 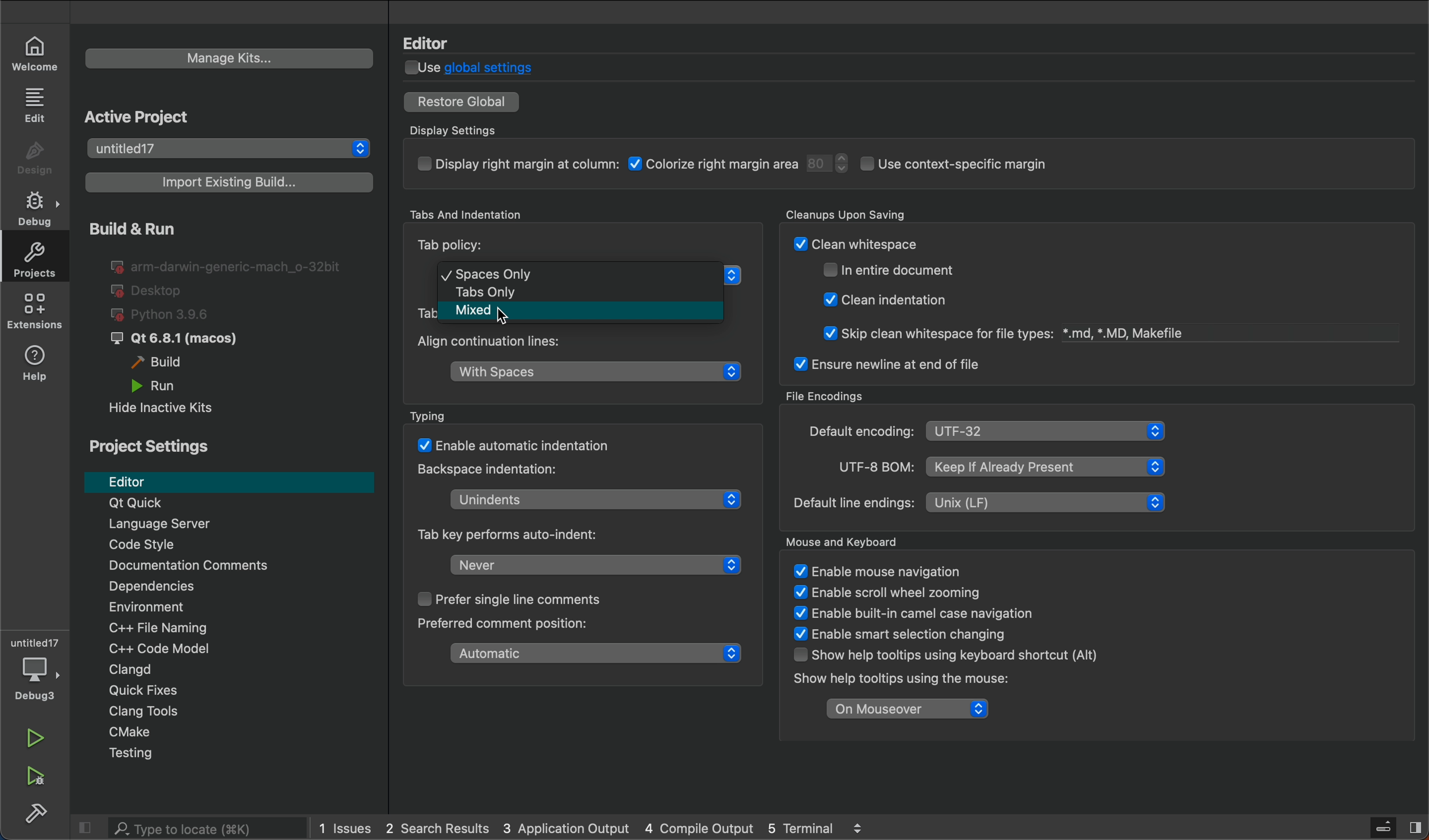 I want to click on Typing, so click(x=477, y=411).